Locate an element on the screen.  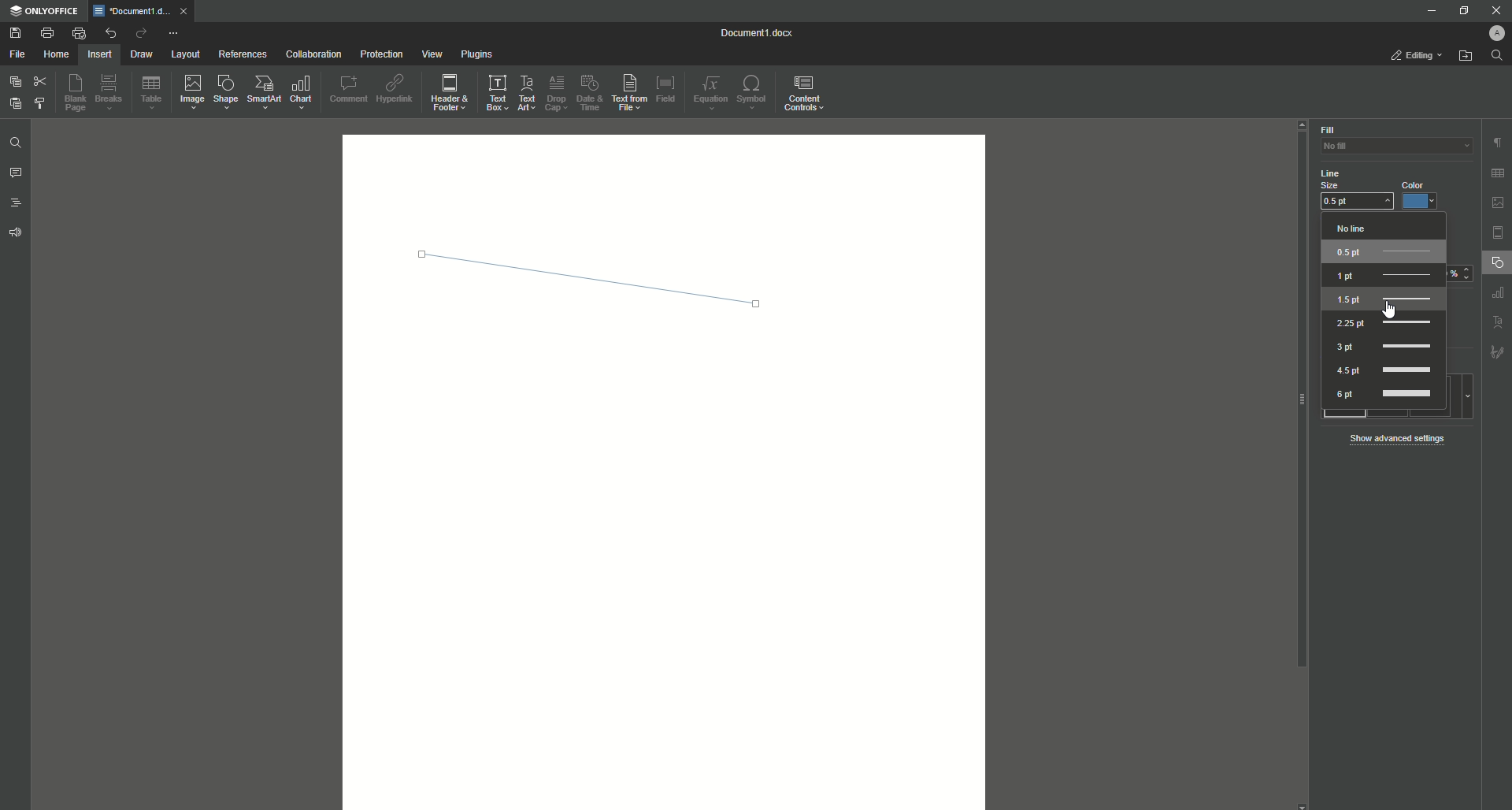
Headings is located at coordinates (17, 205).